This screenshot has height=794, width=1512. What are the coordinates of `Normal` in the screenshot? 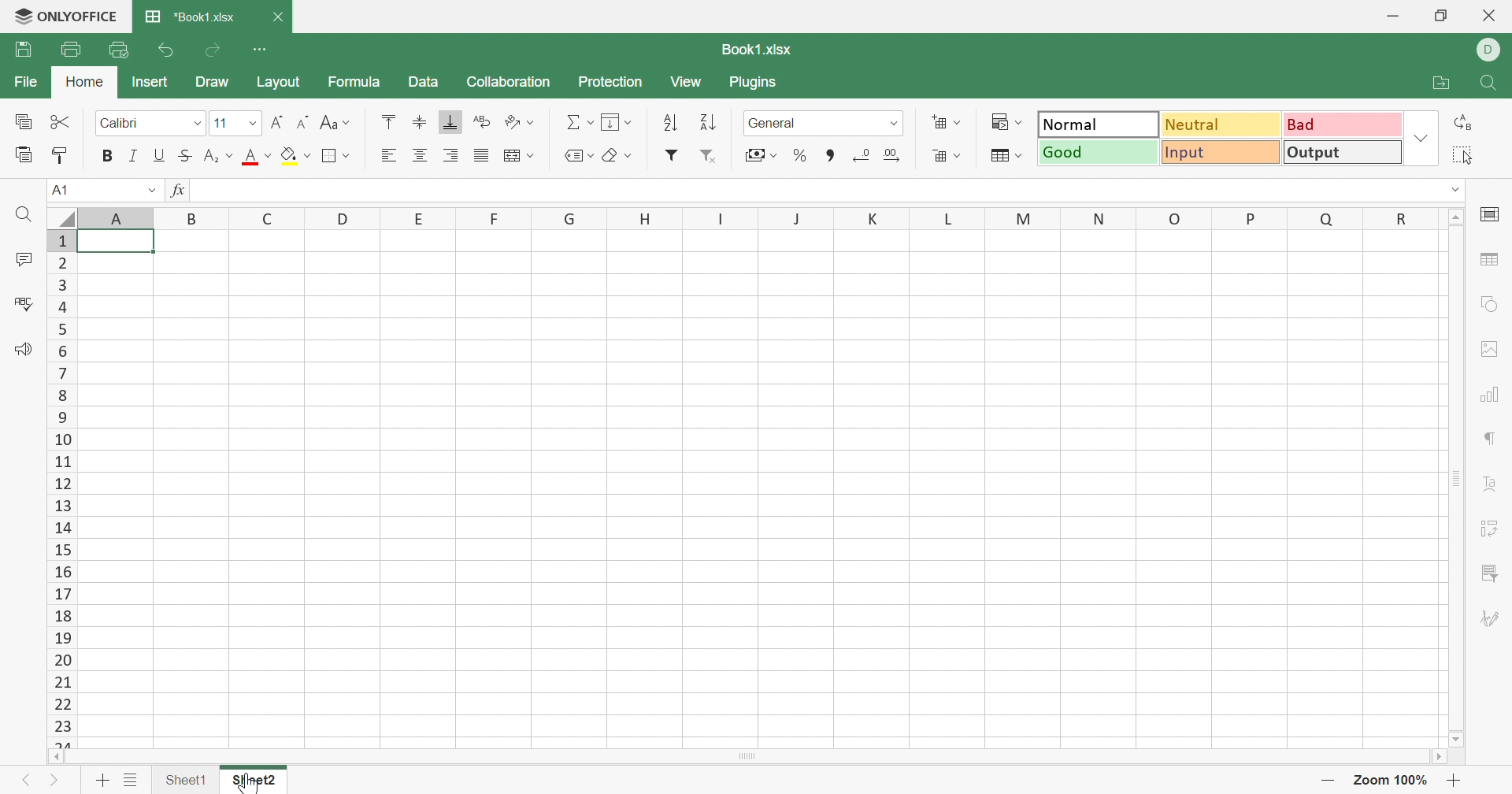 It's located at (1099, 124).